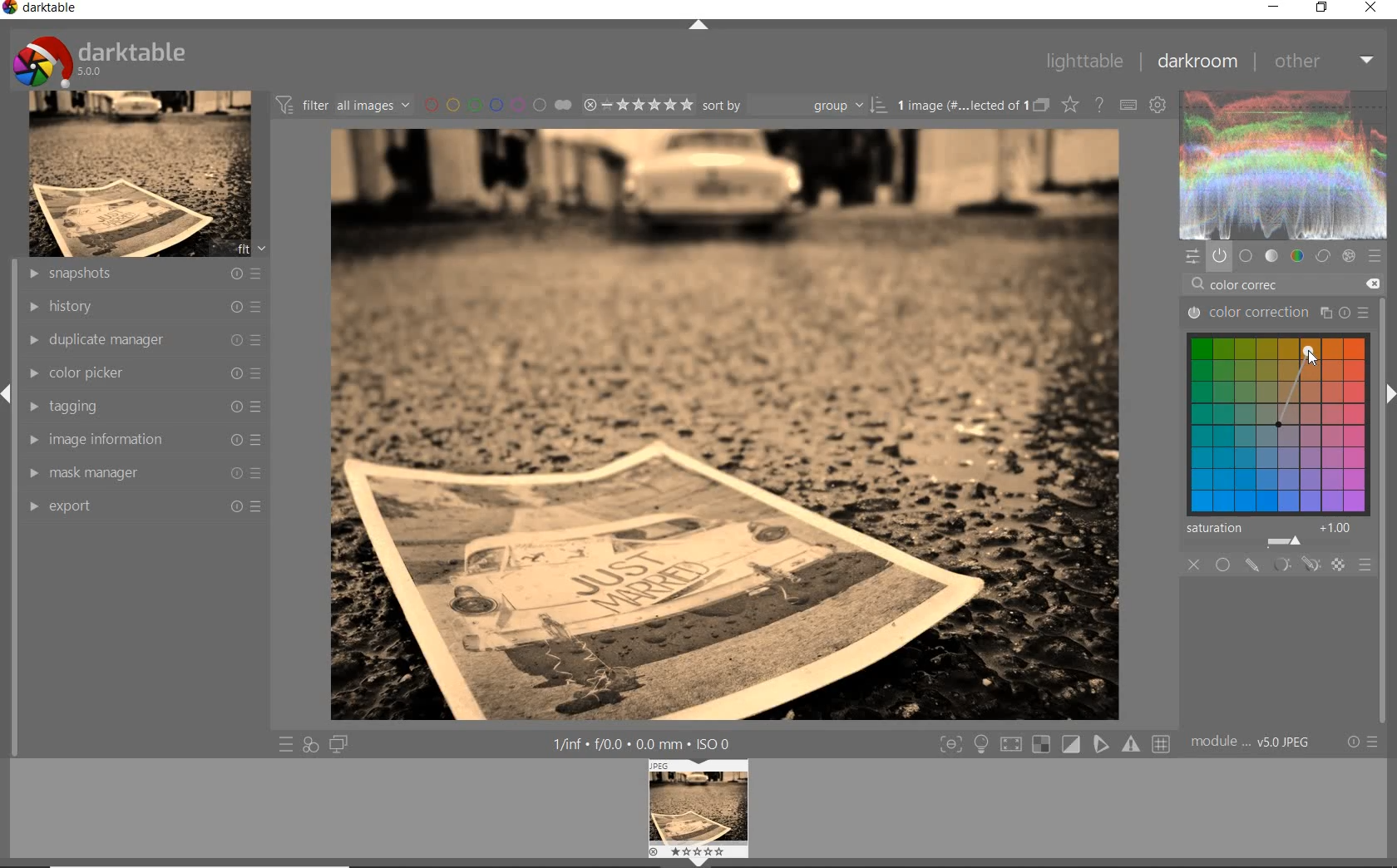 The height and width of the screenshot is (868, 1397). I want to click on expand/collapse, so click(1389, 394).